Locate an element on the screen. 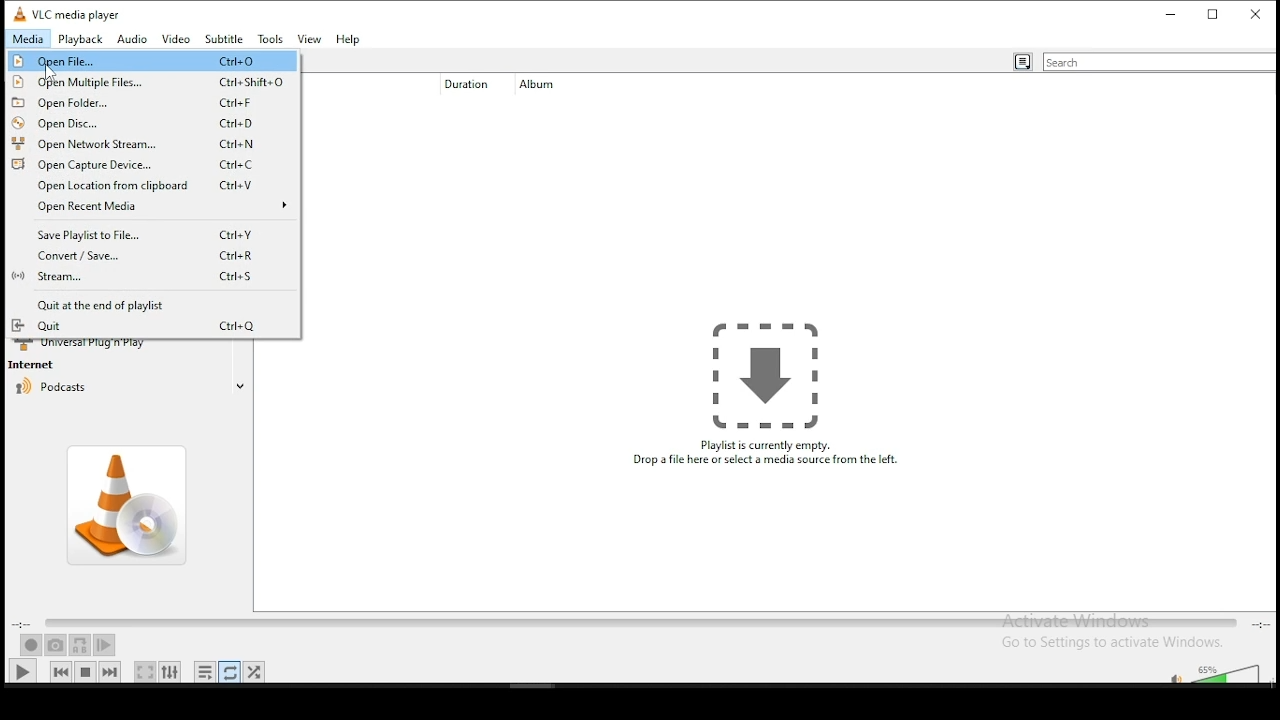 This screenshot has width=1280, height=720. audio is located at coordinates (135, 39).